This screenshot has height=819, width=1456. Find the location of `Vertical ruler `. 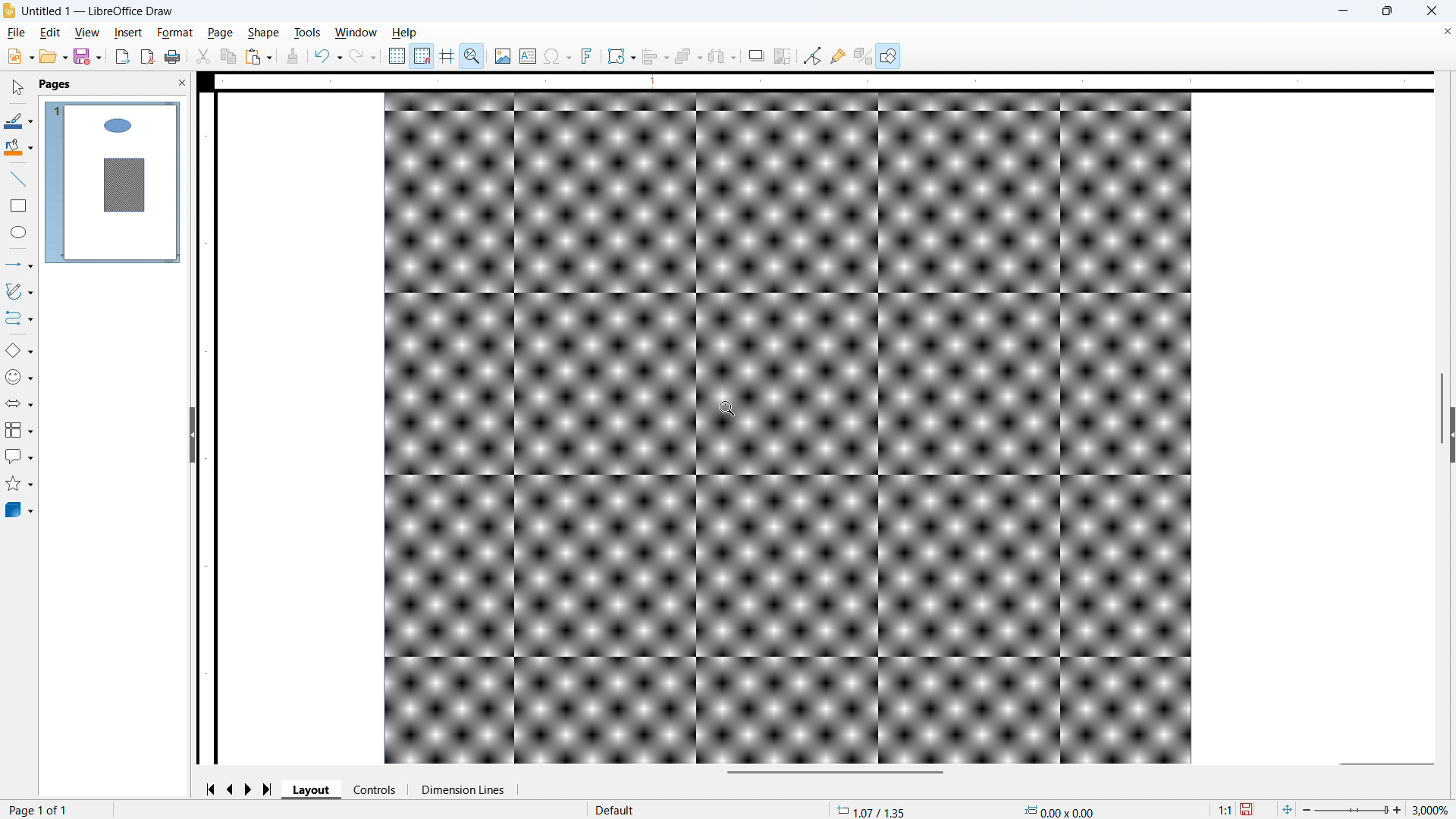

Vertical ruler  is located at coordinates (206, 427).